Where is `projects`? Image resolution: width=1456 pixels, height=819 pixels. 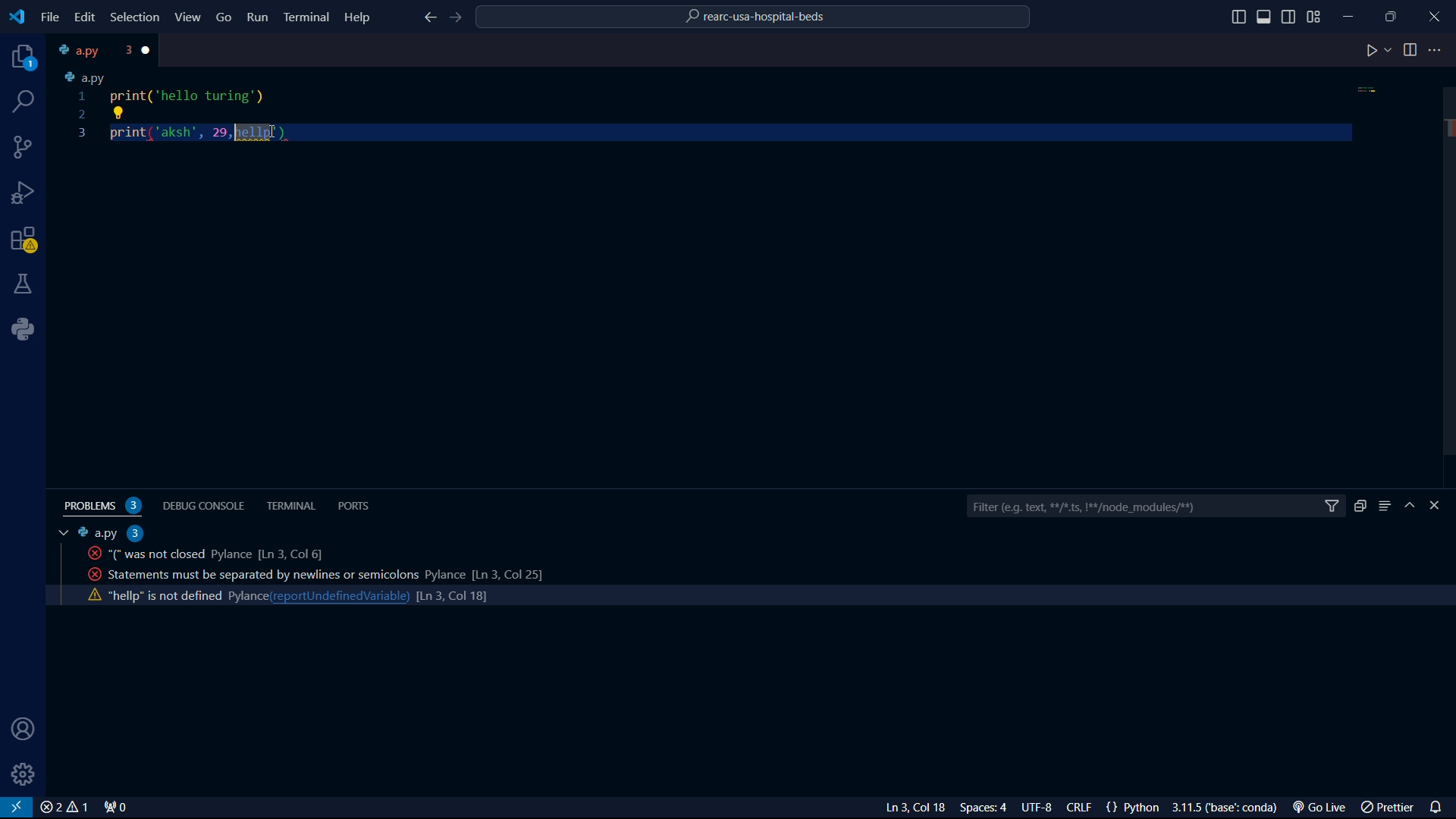 projects is located at coordinates (24, 60).